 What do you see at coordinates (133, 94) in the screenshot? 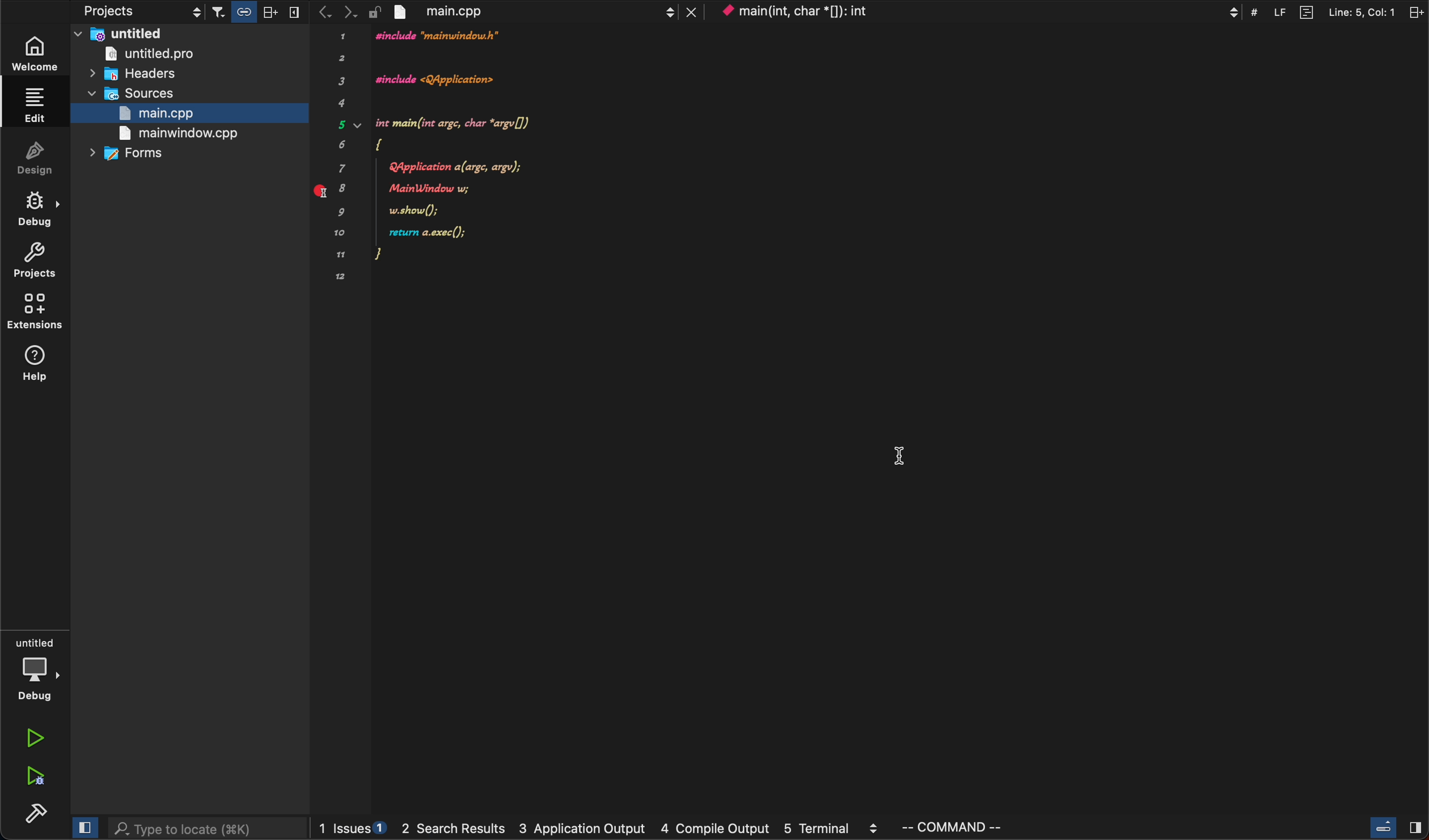
I see `sources` at bounding box center [133, 94].